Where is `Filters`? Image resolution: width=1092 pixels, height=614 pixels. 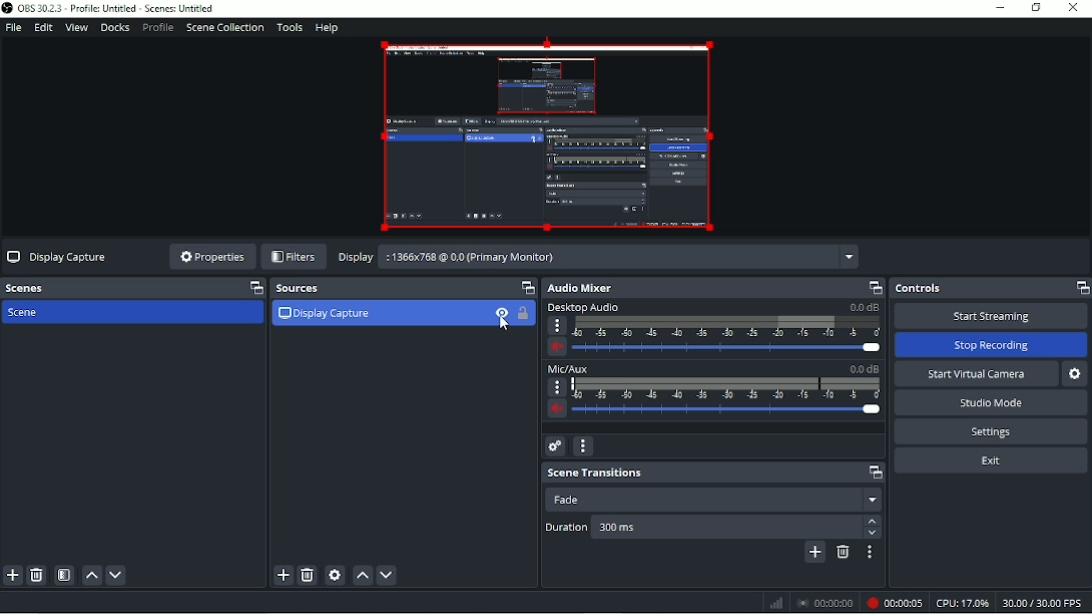 Filters is located at coordinates (293, 257).